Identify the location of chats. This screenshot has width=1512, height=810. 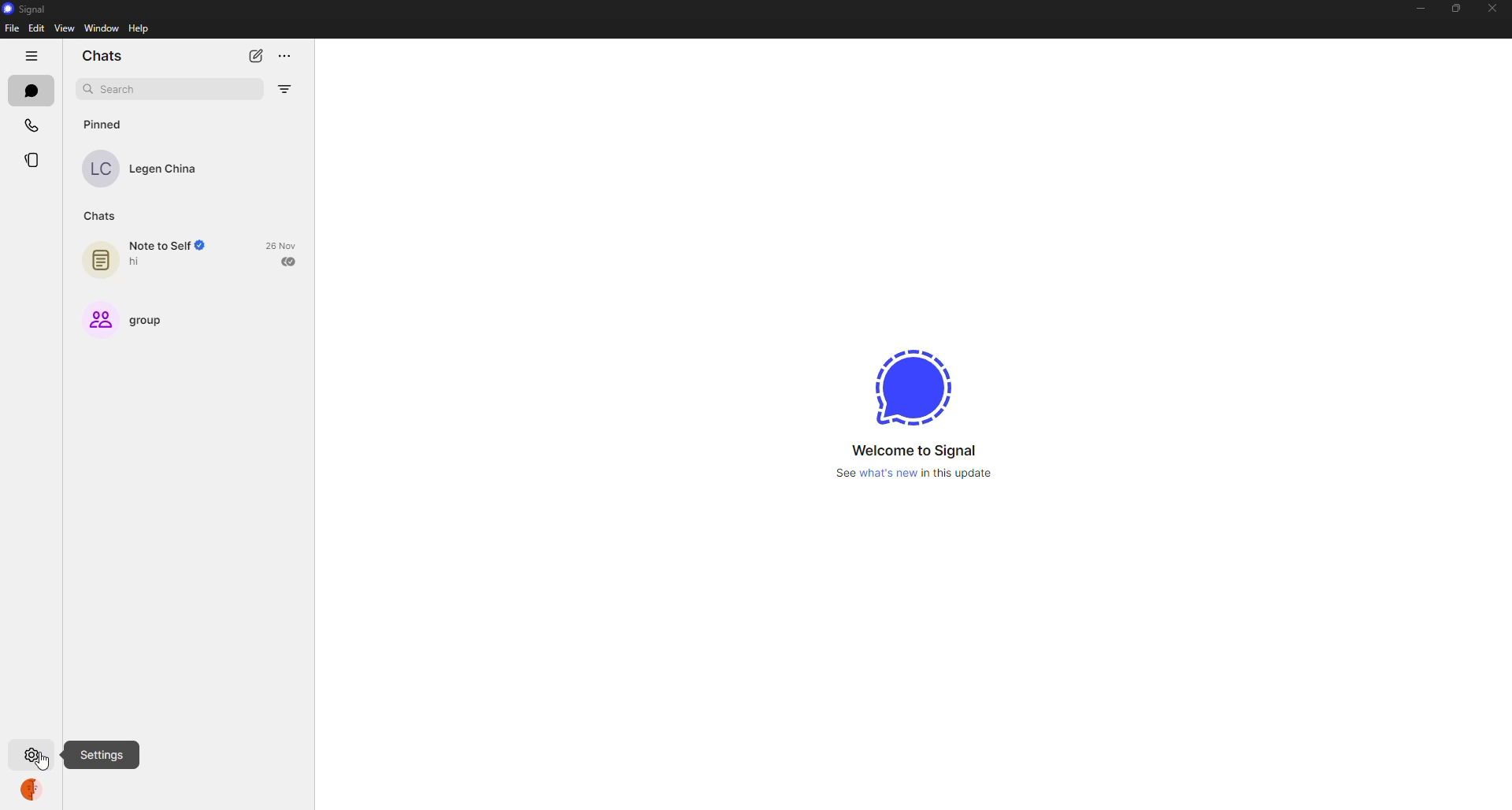
(30, 90).